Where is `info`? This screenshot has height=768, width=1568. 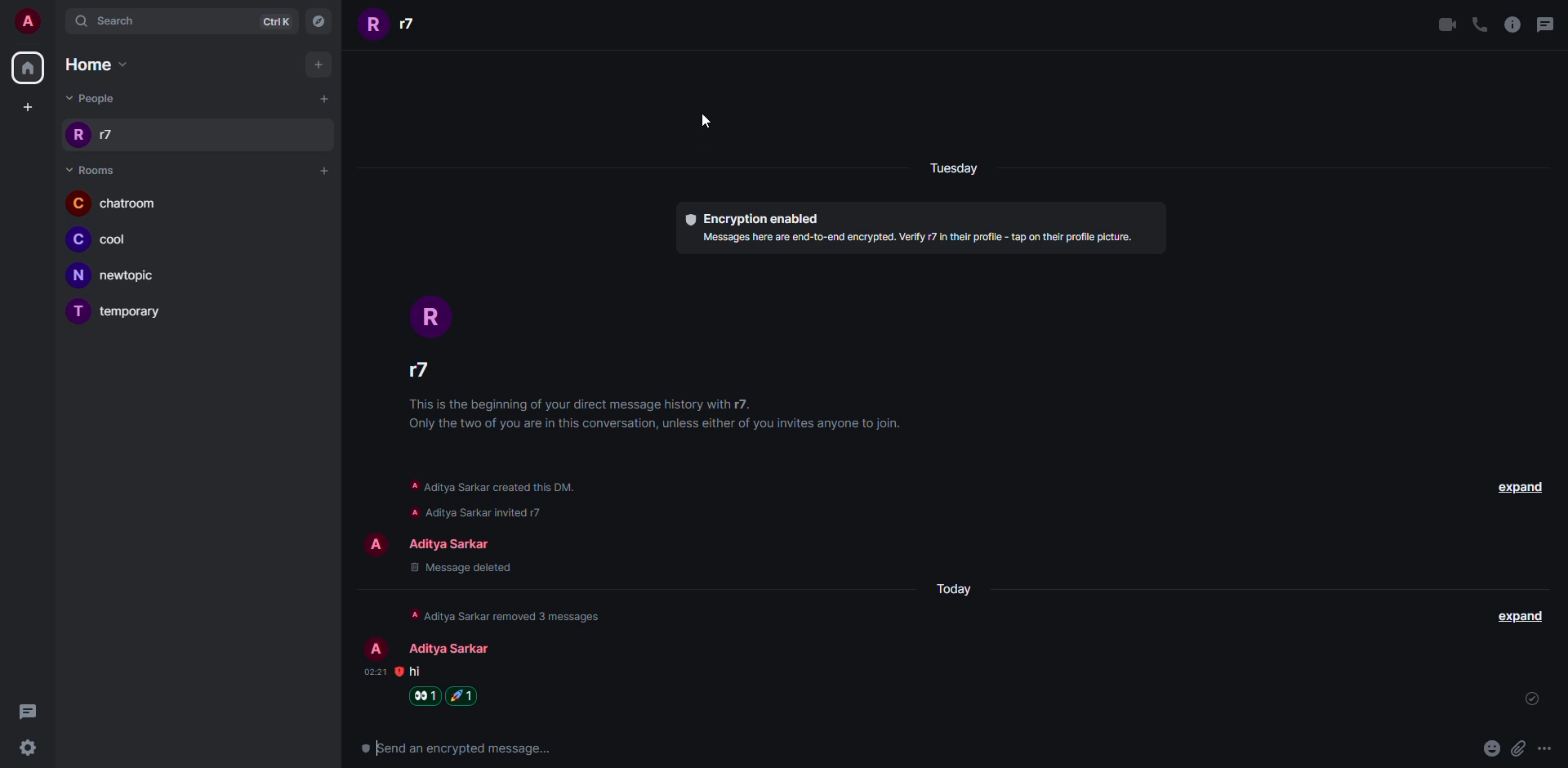 info is located at coordinates (916, 242).